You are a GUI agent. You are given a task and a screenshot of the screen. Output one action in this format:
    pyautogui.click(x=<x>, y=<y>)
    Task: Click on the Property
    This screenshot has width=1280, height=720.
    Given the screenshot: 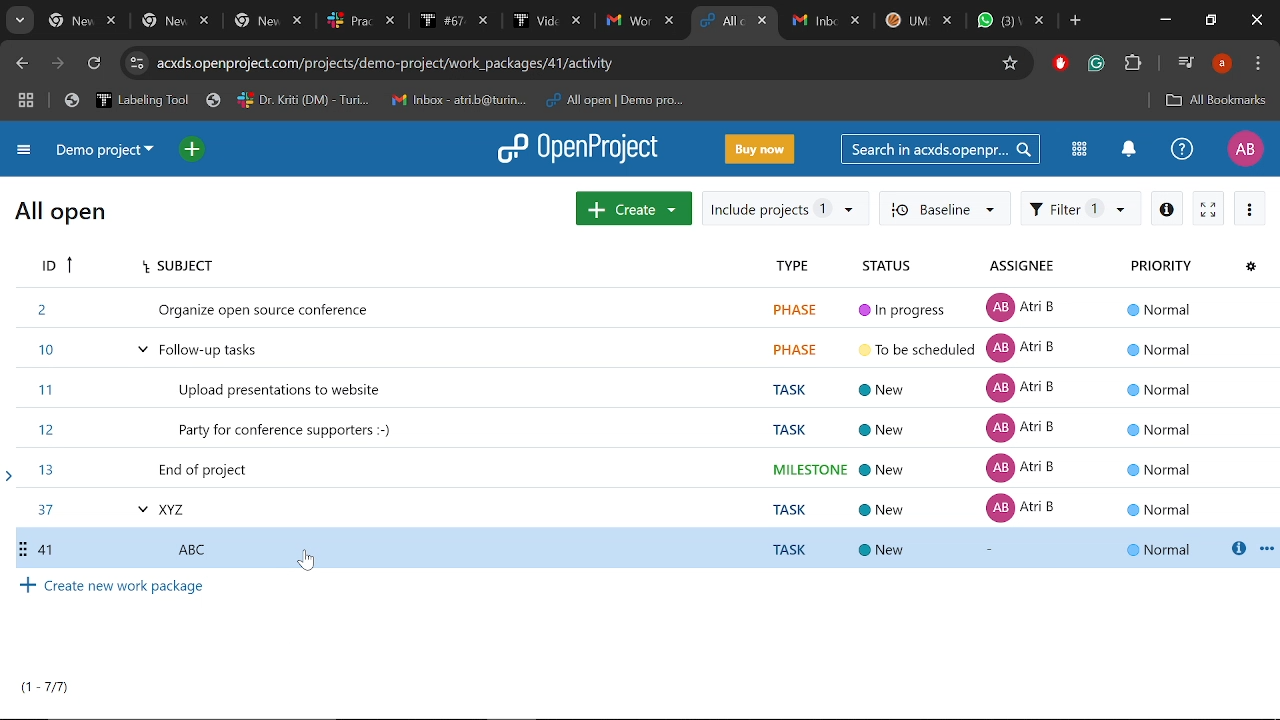 What is the action you would take?
    pyautogui.click(x=1174, y=265)
    